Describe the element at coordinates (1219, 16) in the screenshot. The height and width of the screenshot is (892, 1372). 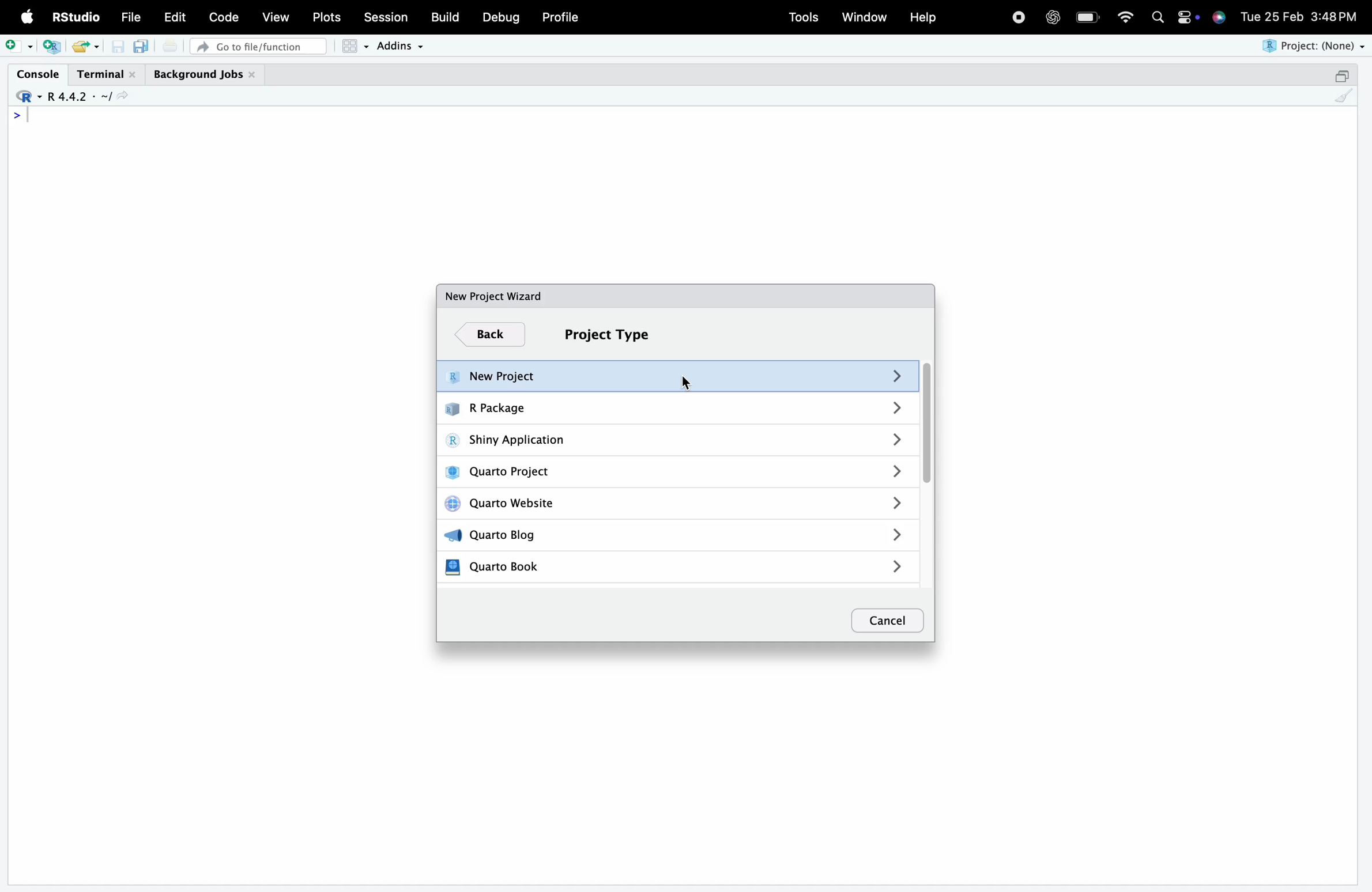
I see `siri` at that location.